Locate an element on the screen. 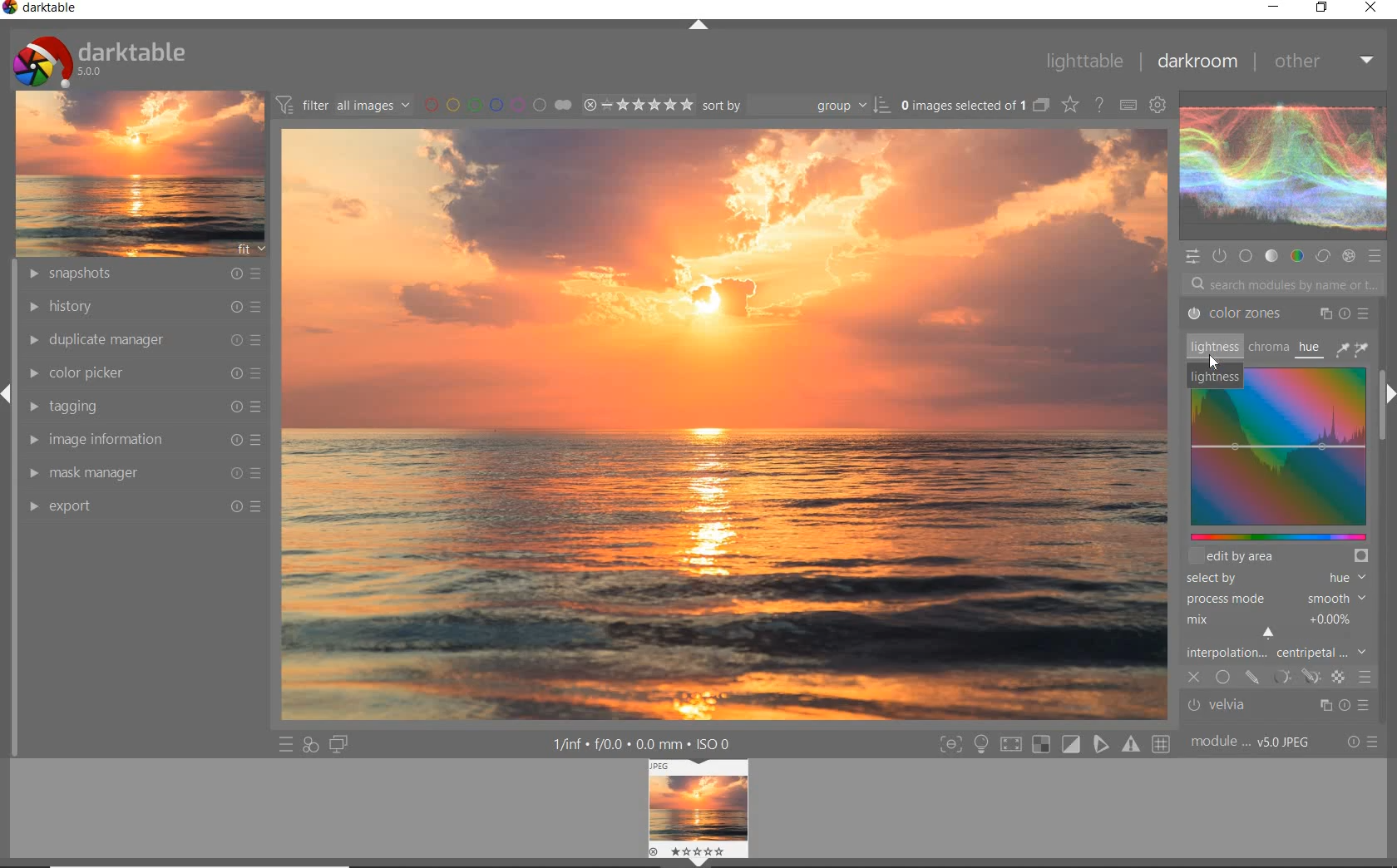 The width and height of the screenshot is (1397, 868). PRESET is located at coordinates (1378, 260).